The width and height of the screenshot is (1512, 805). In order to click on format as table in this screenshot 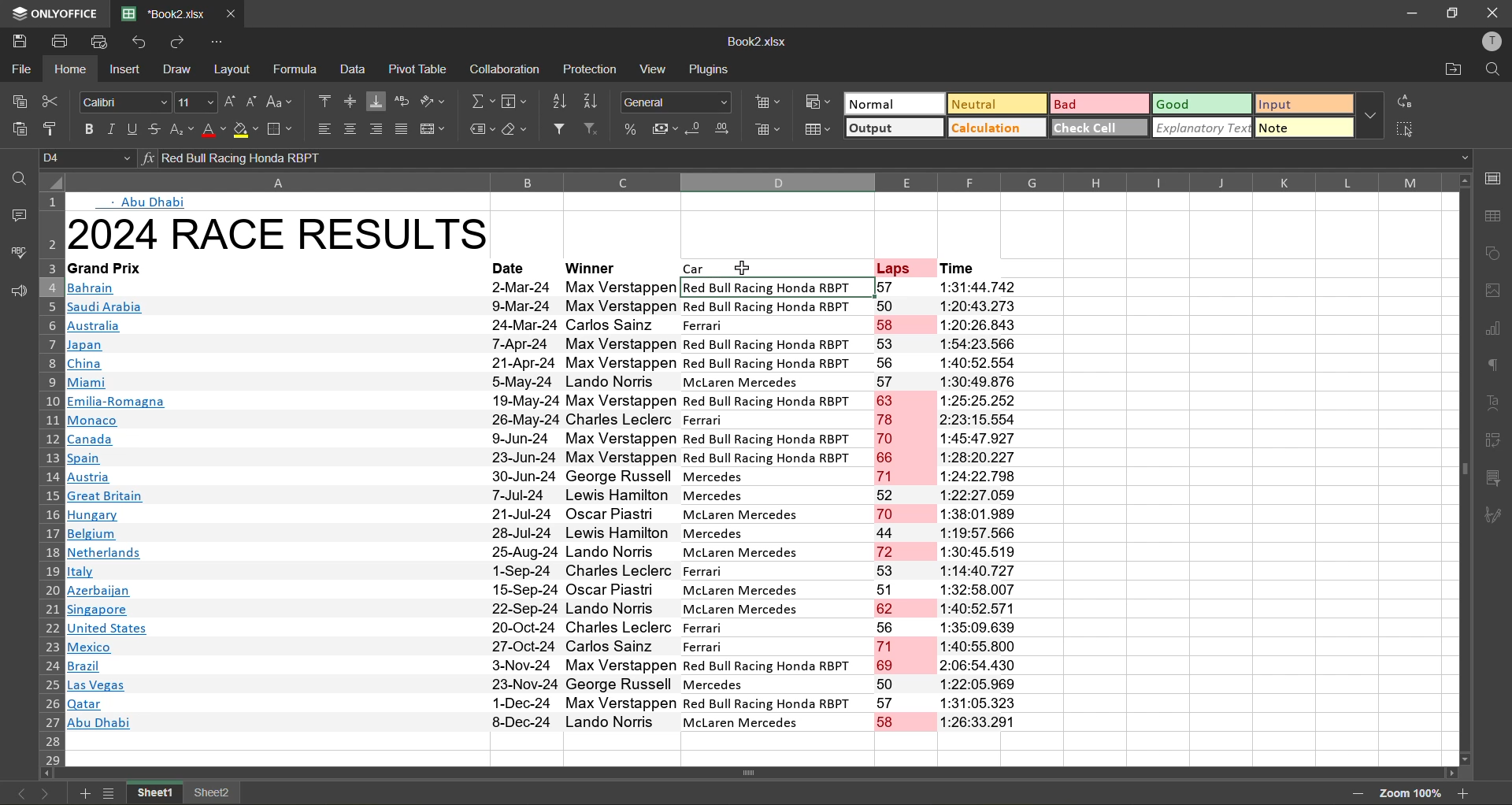, I will do `click(818, 130)`.